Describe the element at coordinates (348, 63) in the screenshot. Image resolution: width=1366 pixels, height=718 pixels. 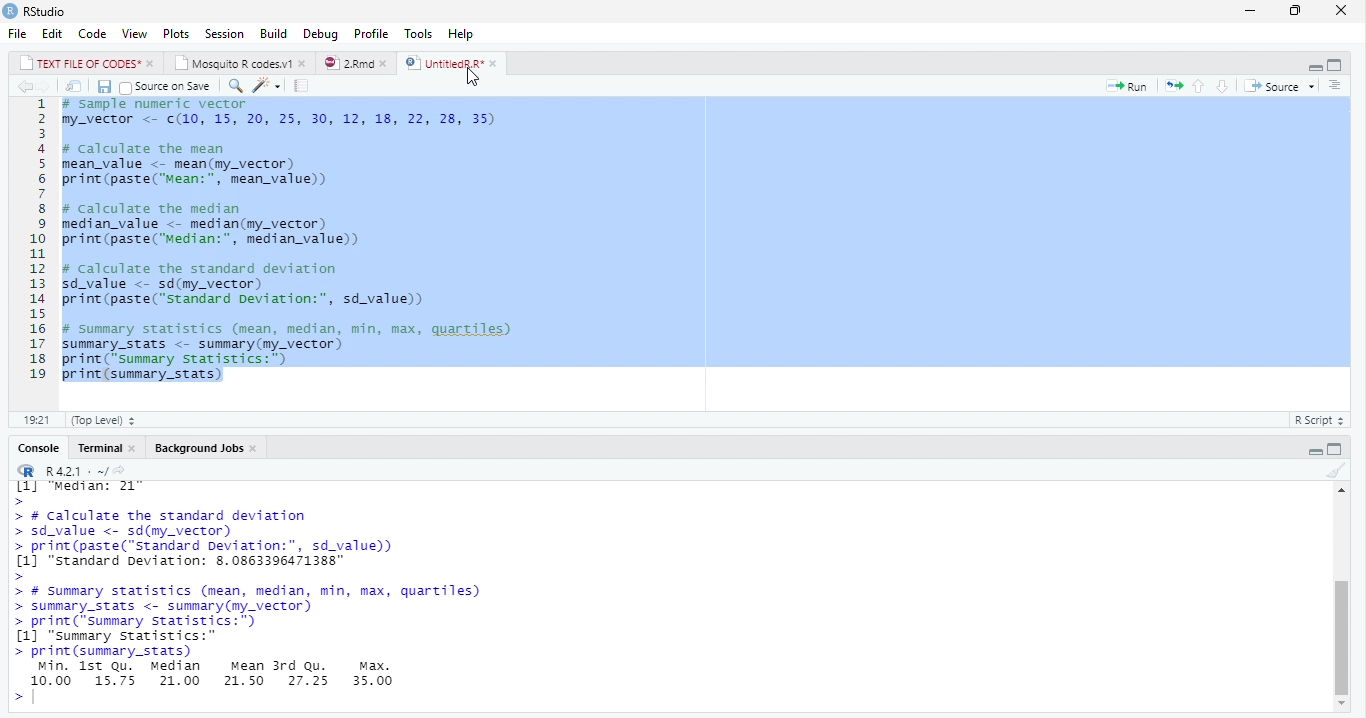
I see `2.Rmd` at that location.